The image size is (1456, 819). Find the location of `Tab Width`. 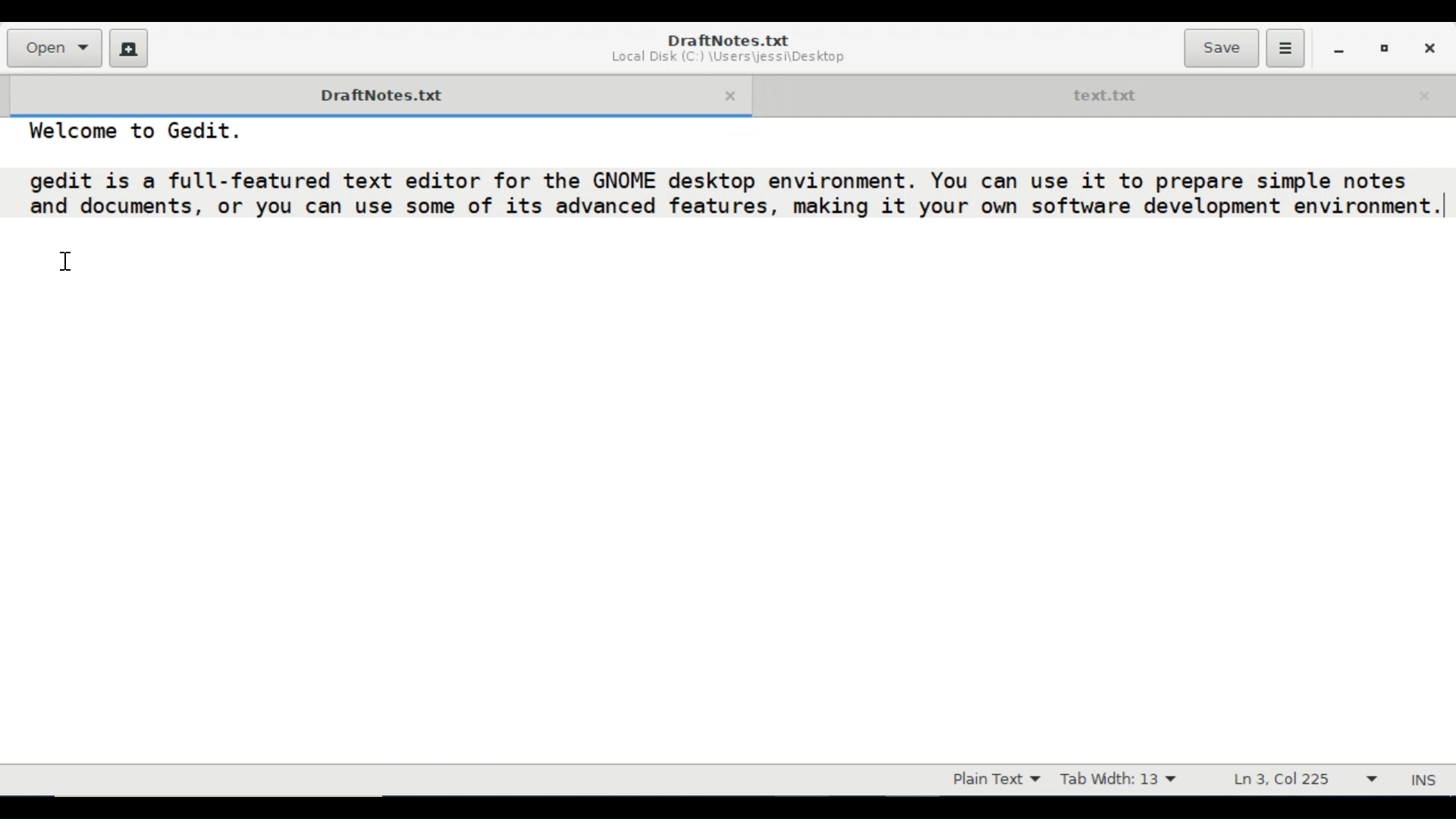

Tab Width is located at coordinates (1118, 780).